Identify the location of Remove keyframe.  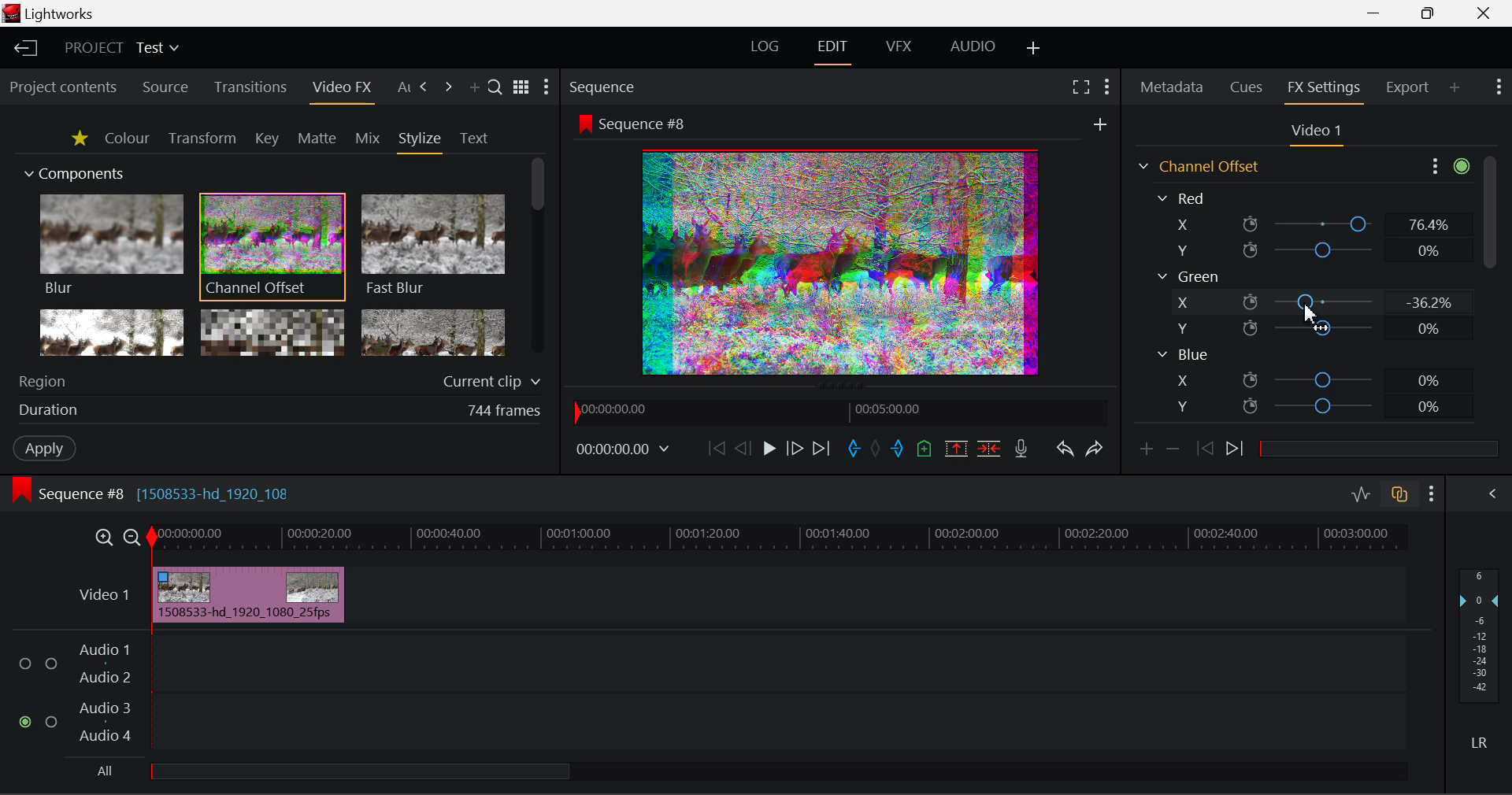
(1173, 453).